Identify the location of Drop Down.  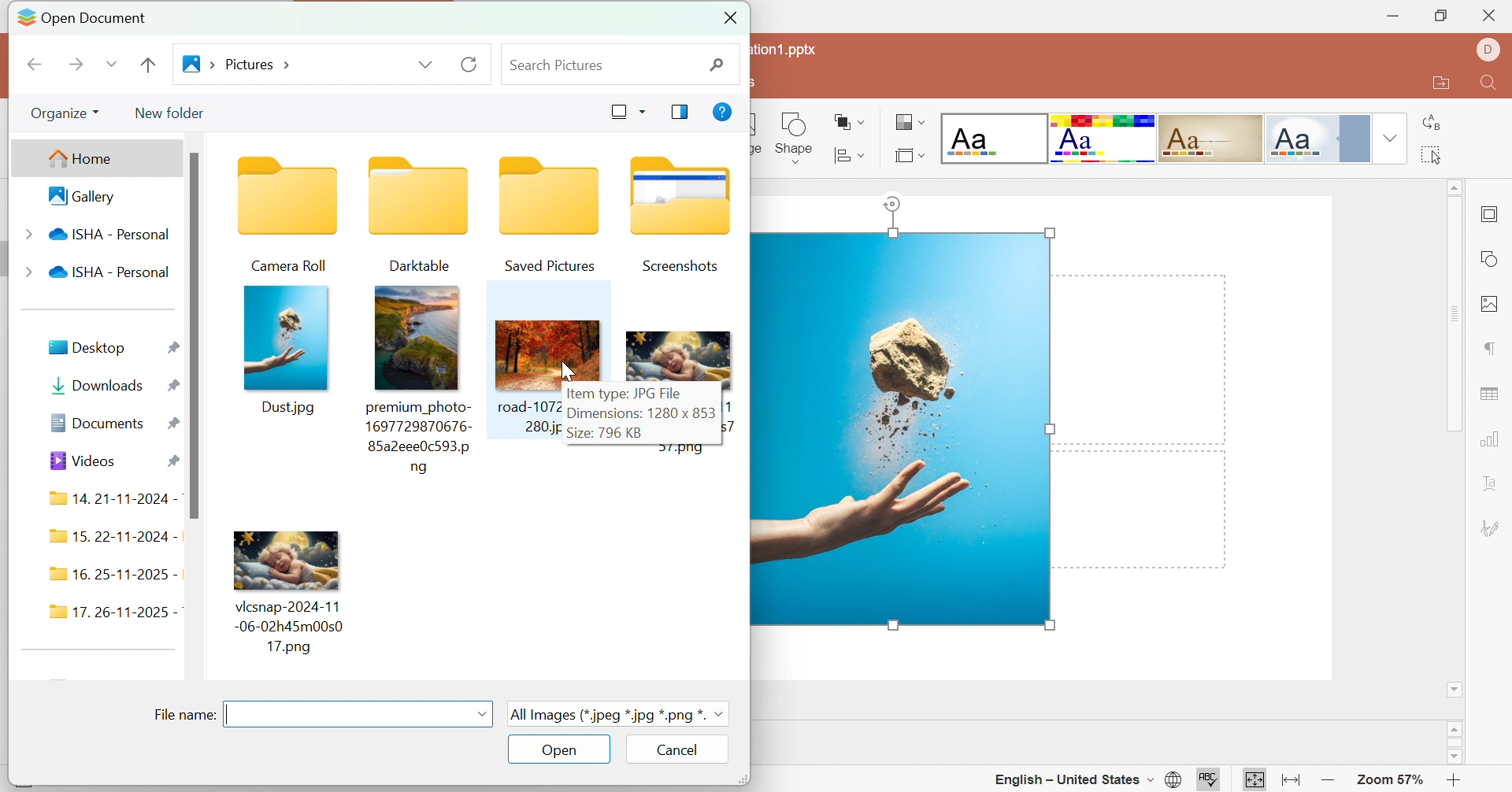
(113, 62).